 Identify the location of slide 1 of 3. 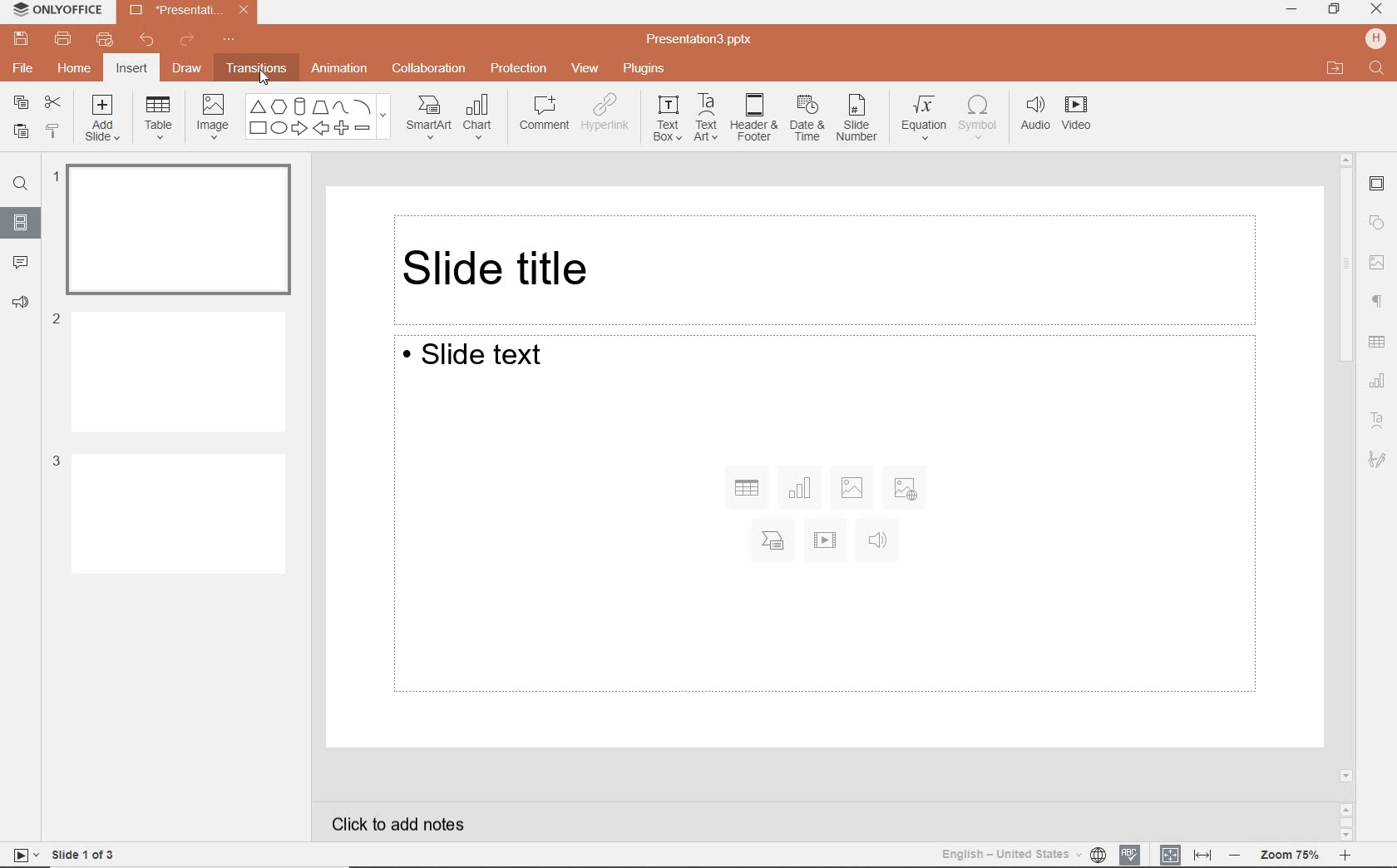
(61, 855).